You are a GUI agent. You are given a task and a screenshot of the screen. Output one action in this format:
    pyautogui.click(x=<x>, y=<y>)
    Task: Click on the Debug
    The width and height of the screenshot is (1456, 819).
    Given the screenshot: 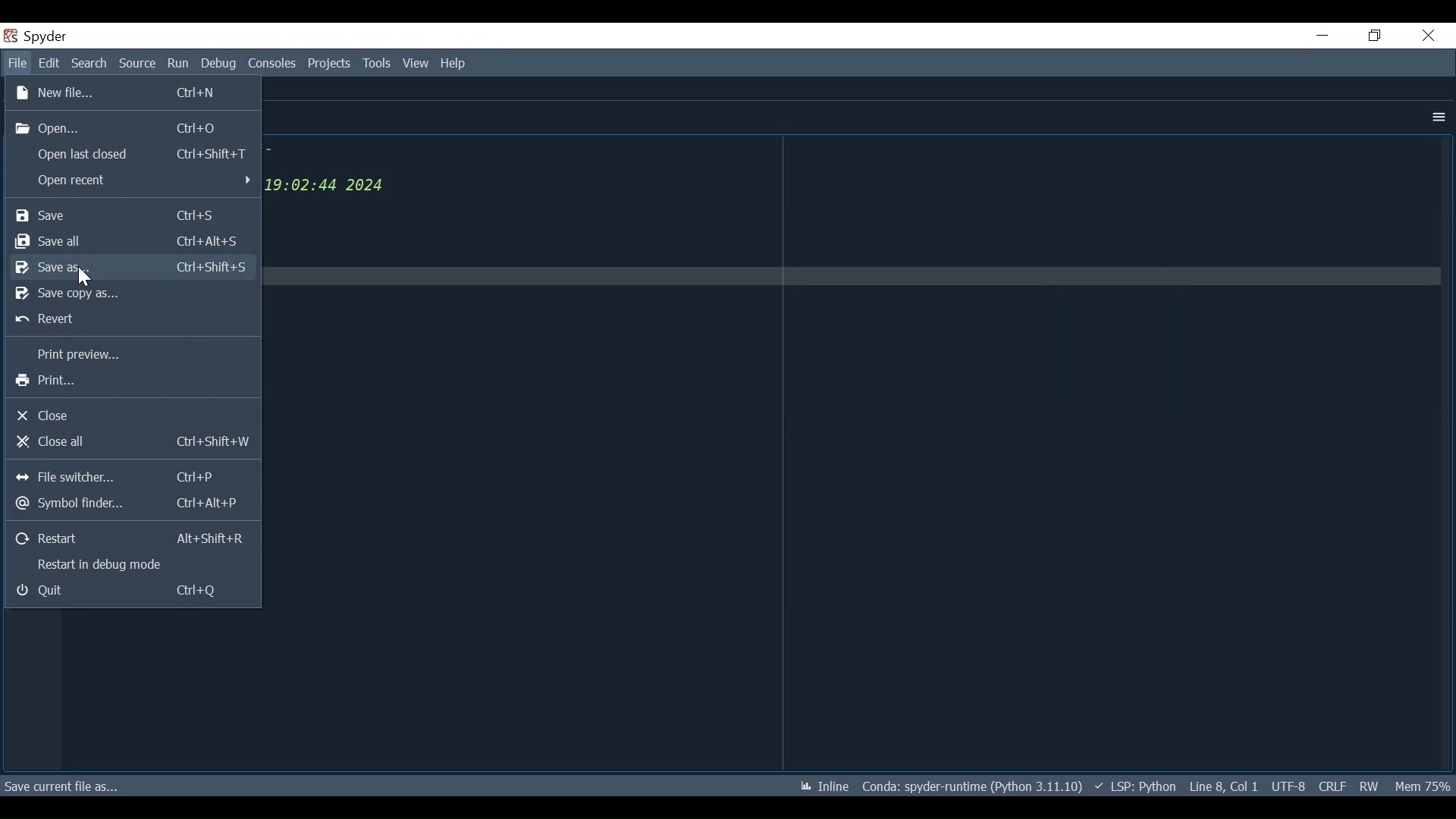 What is the action you would take?
    pyautogui.click(x=219, y=64)
    